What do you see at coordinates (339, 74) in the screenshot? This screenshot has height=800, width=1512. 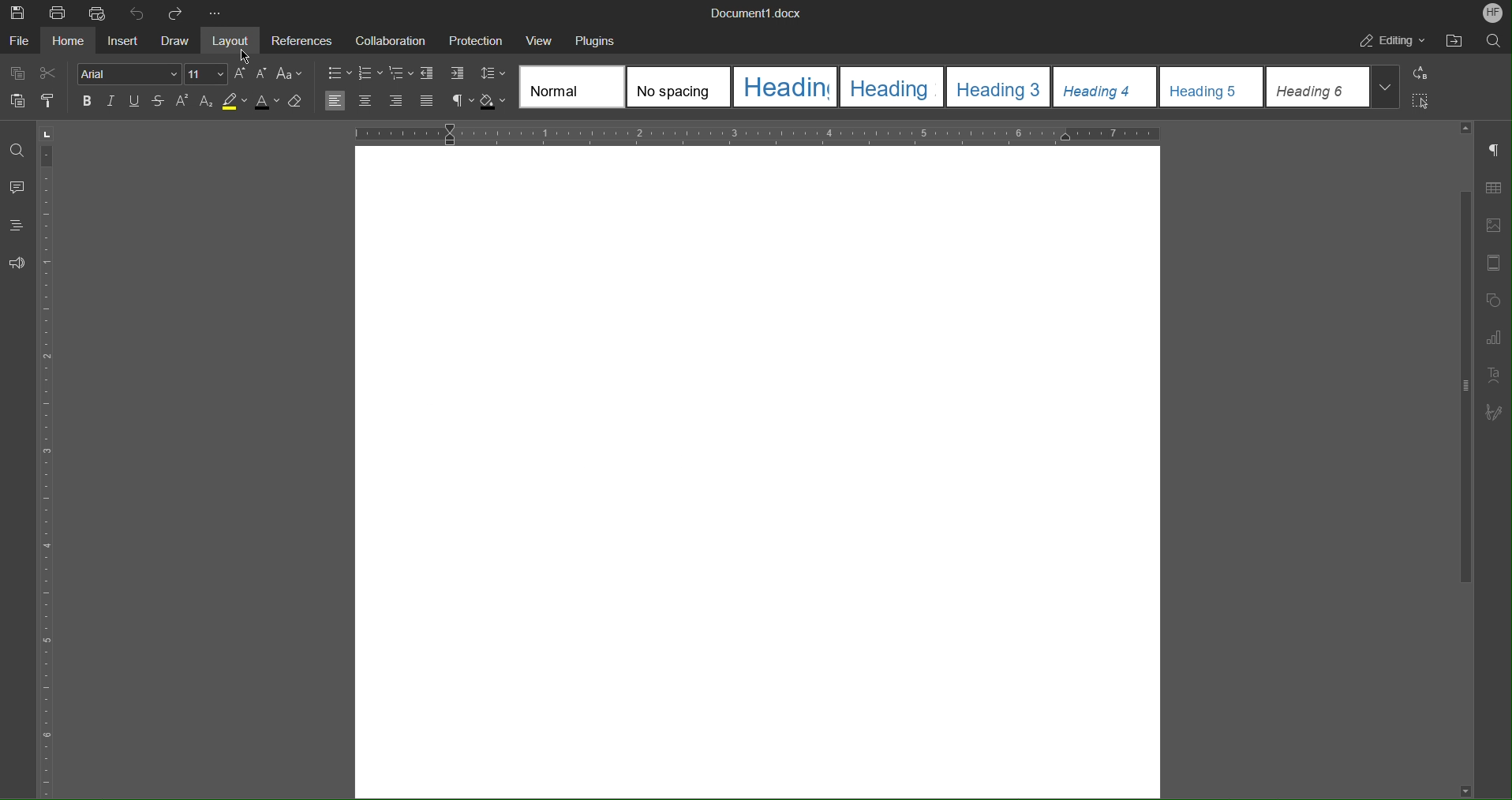 I see `Bullet List` at bounding box center [339, 74].